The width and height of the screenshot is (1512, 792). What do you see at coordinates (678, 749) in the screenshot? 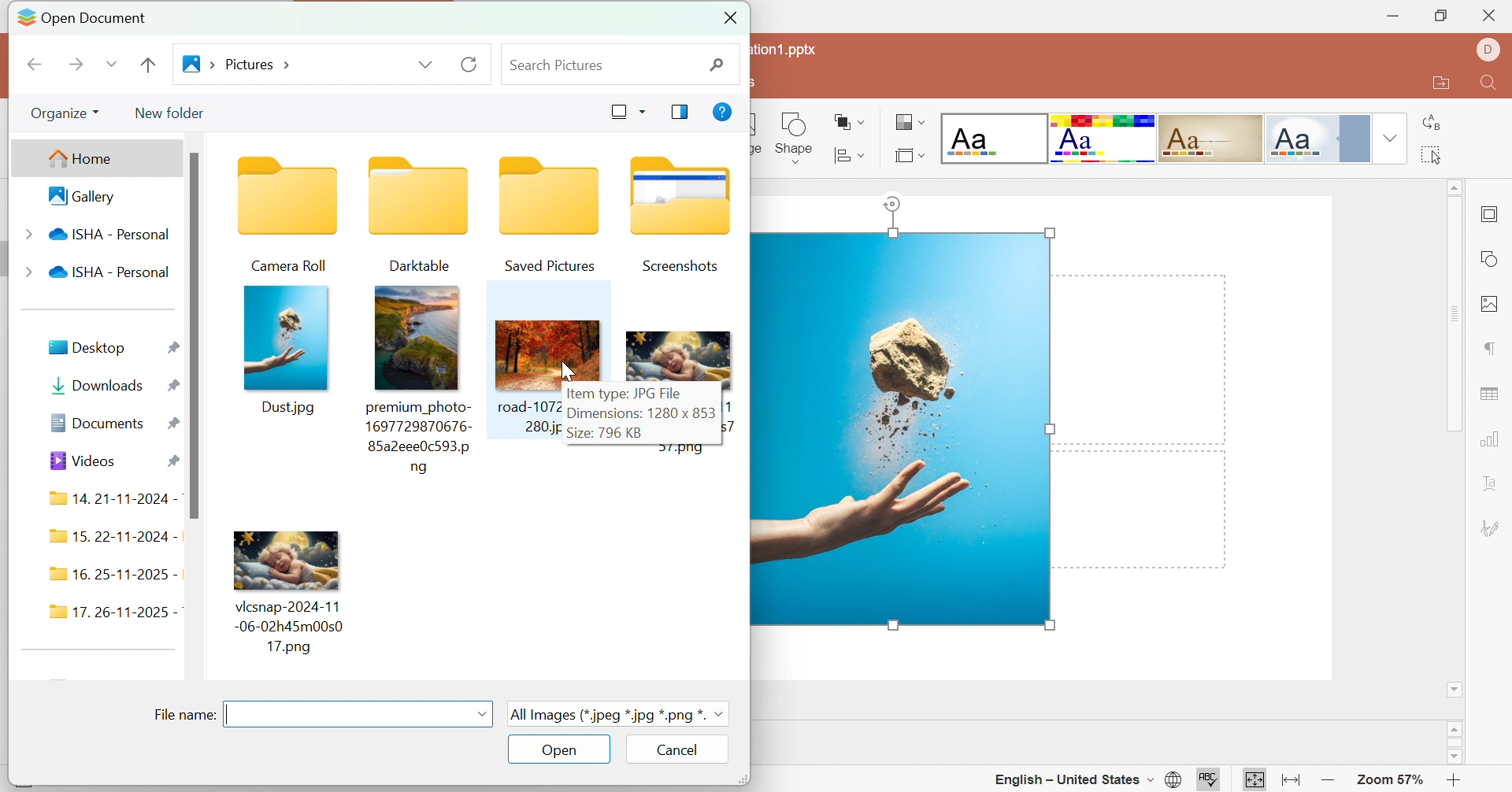
I see `Cancel` at bounding box center [678, 749].